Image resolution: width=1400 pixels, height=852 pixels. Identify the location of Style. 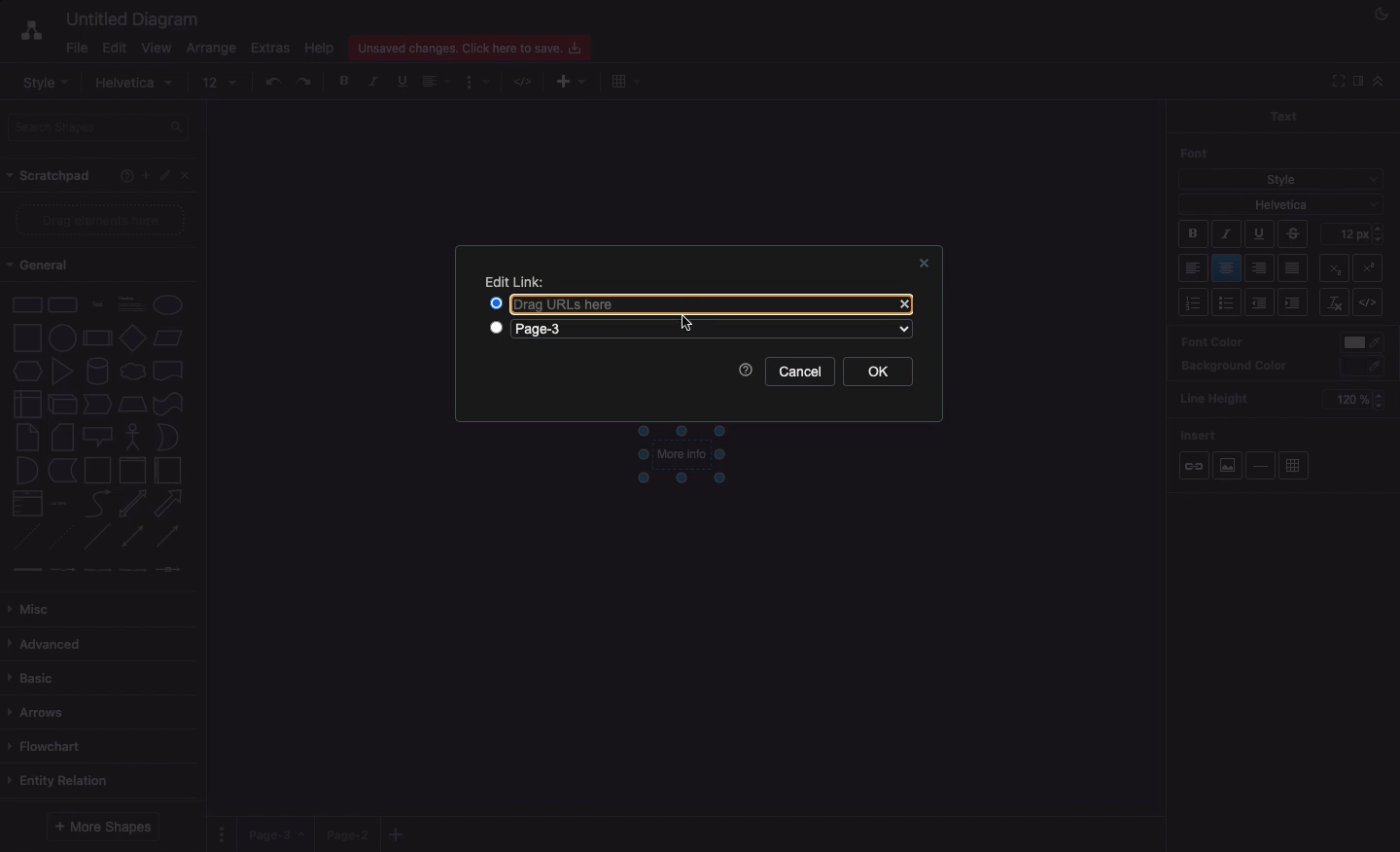
(1281, 177).